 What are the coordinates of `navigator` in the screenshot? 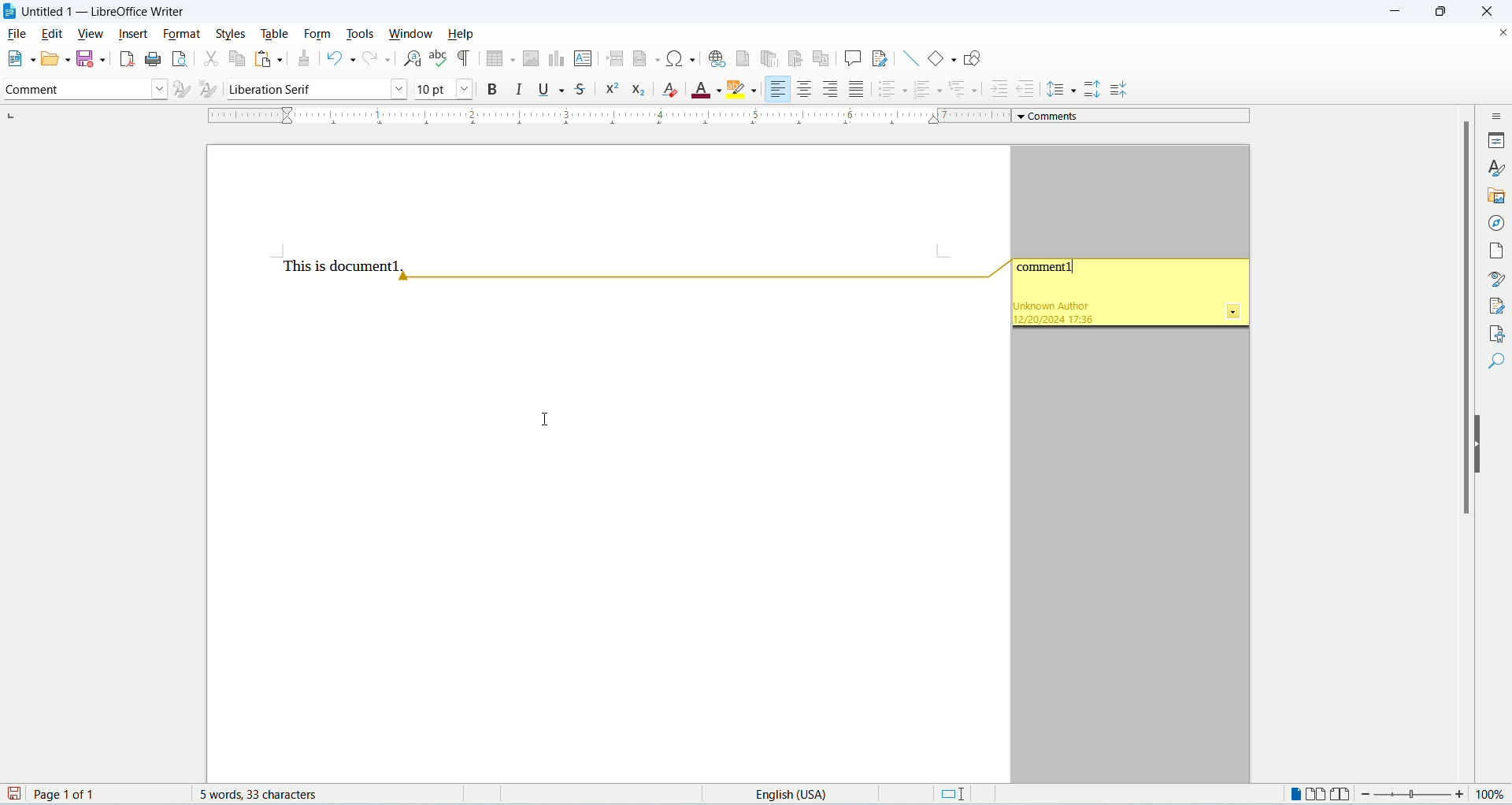 It's located at (1495, 223).